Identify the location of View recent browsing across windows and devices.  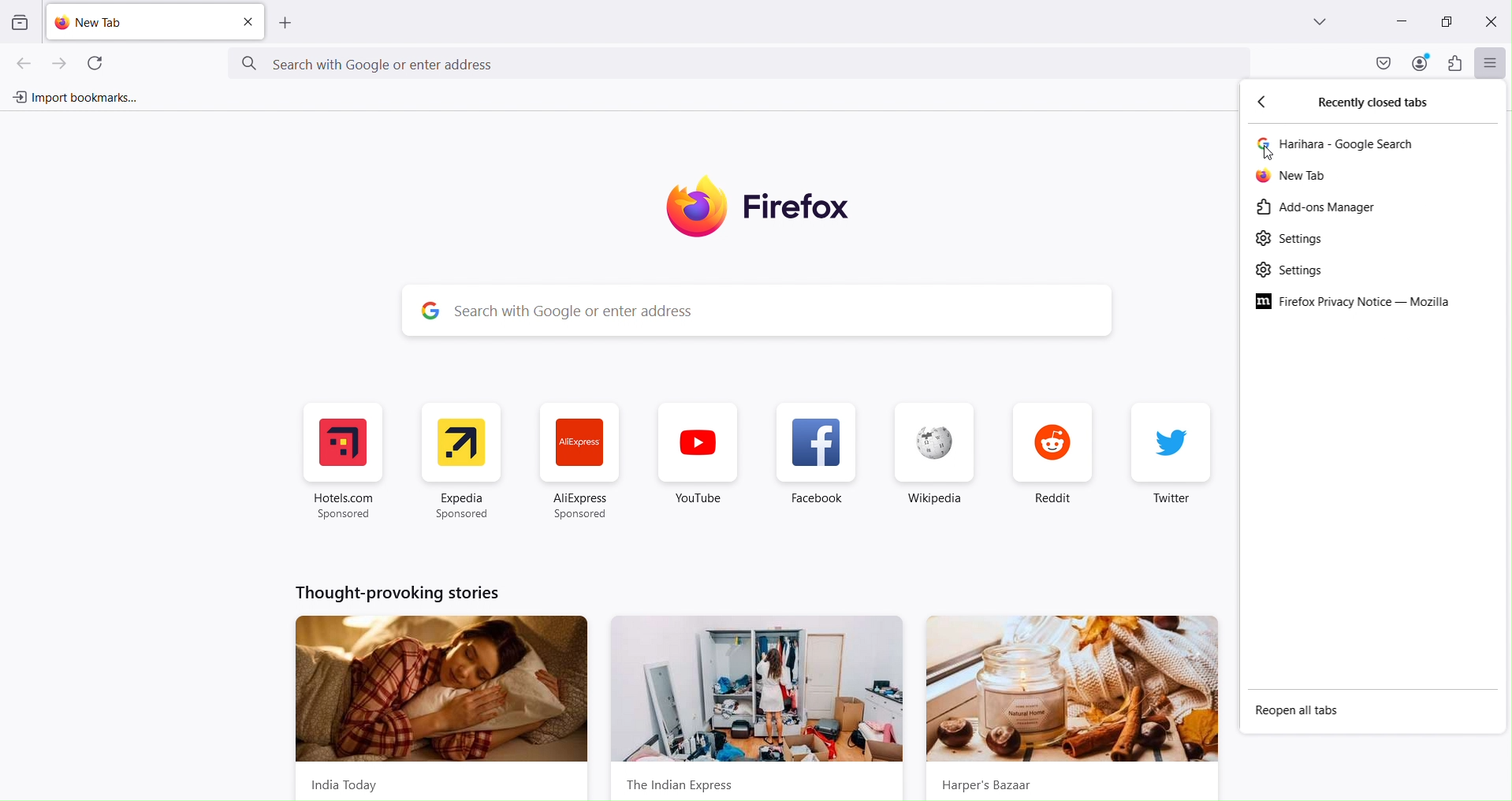
(18, 24).